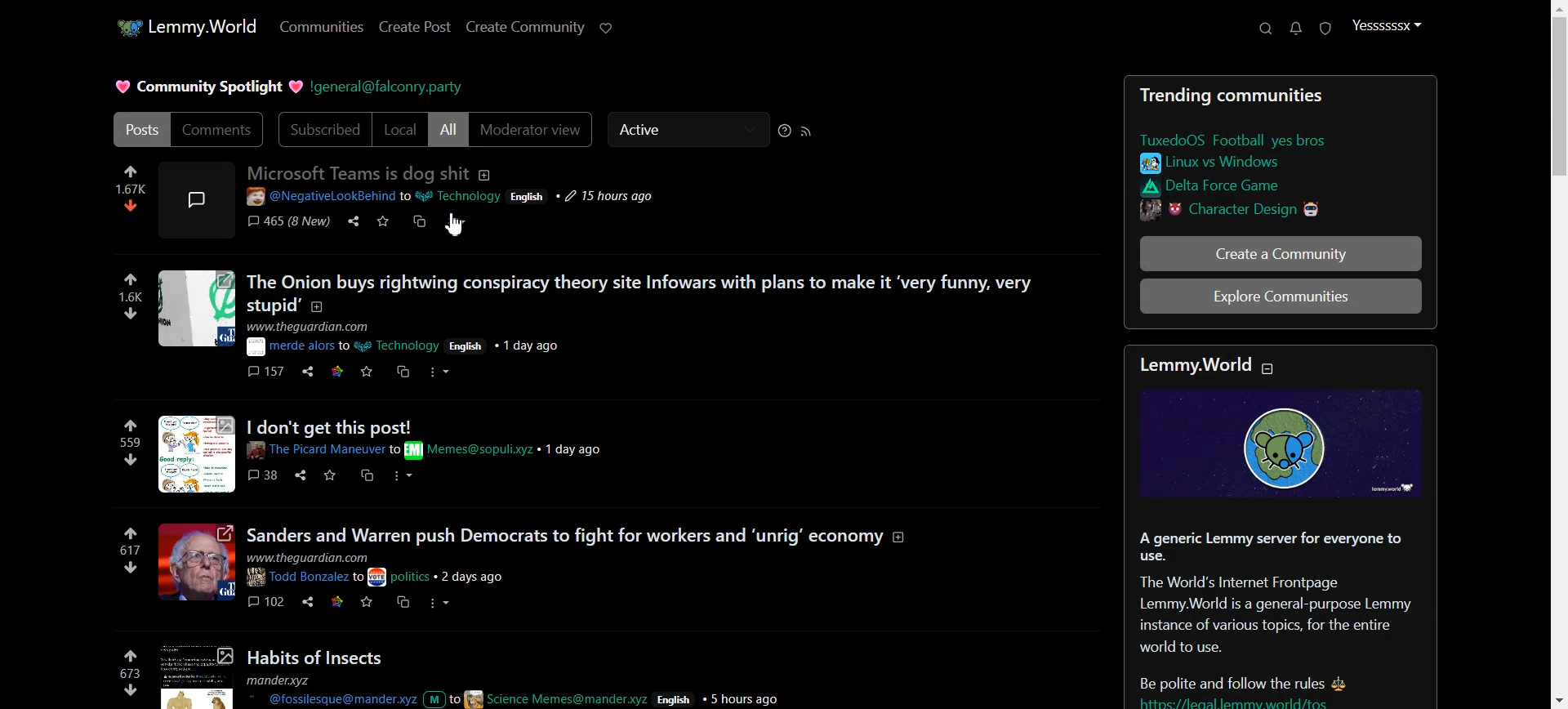 The width and height of the screenshot is (1568, 709). What do you see at coordinates (196, 310) in the screenshot?
I see `image` at bounding box center [196, 310].